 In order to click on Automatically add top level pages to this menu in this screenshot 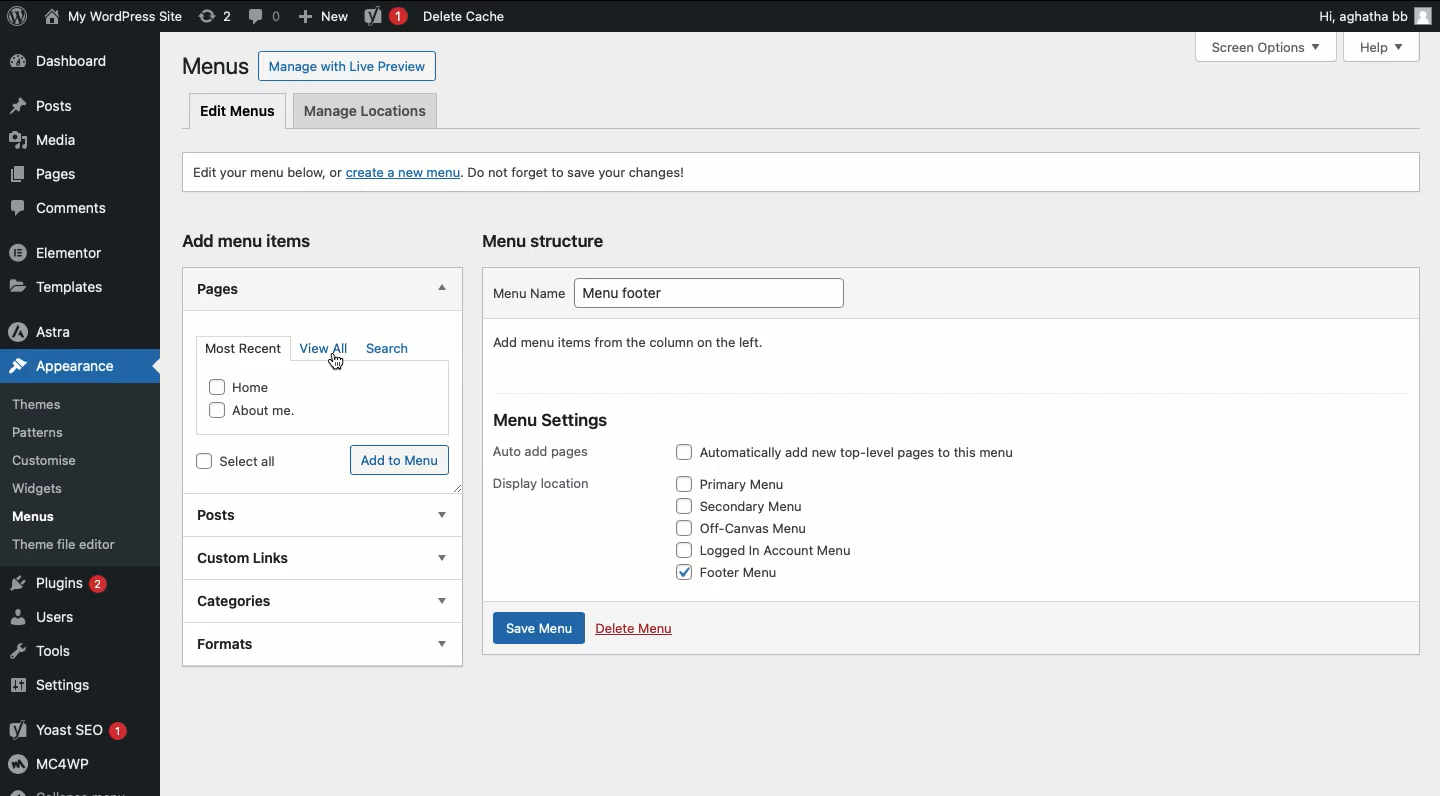, I will do `click(883, 452)`.